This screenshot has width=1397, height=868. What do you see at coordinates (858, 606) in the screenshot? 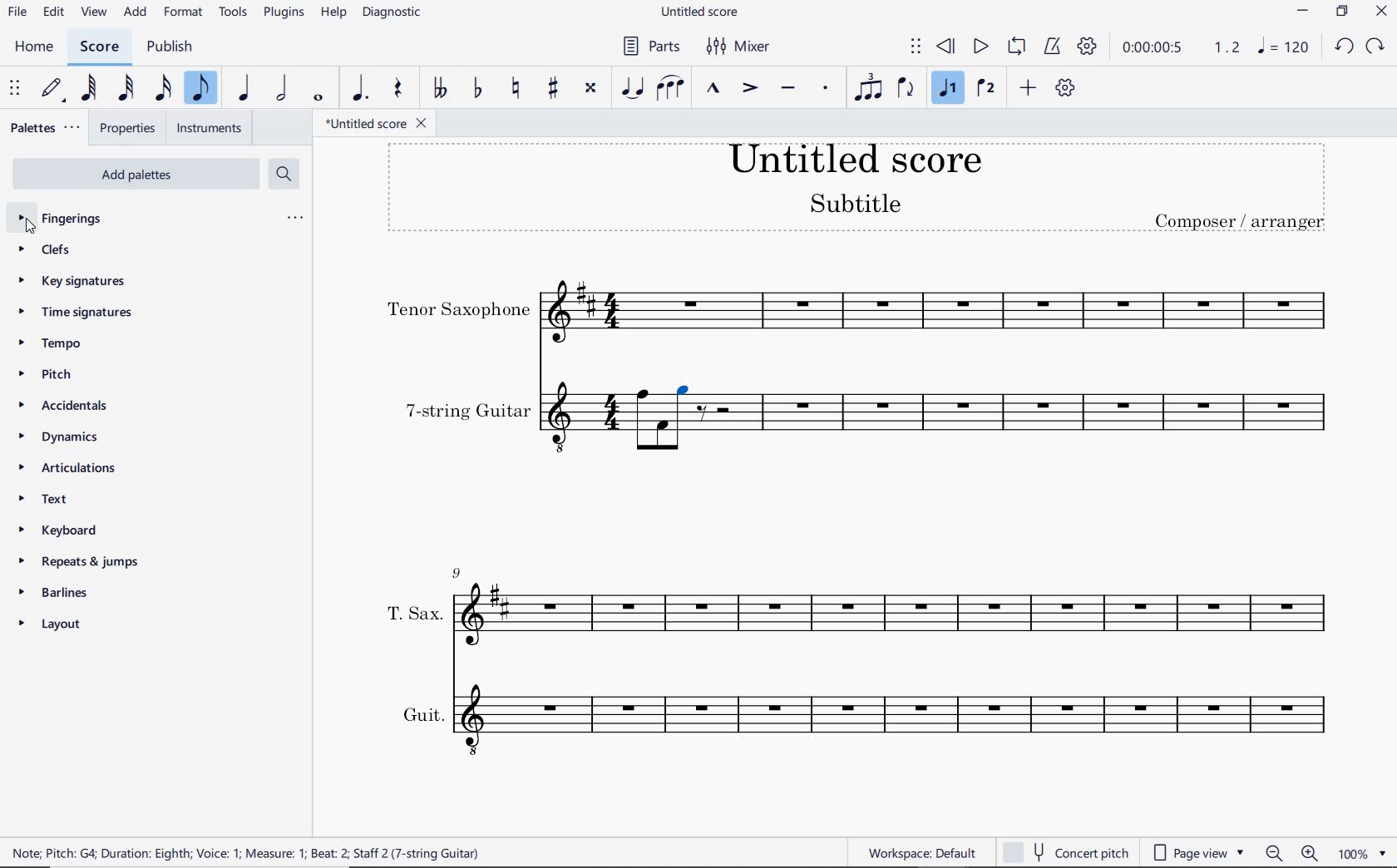
I see `INSTRUMENT: T.SAX` at bounding box center [858, 606].